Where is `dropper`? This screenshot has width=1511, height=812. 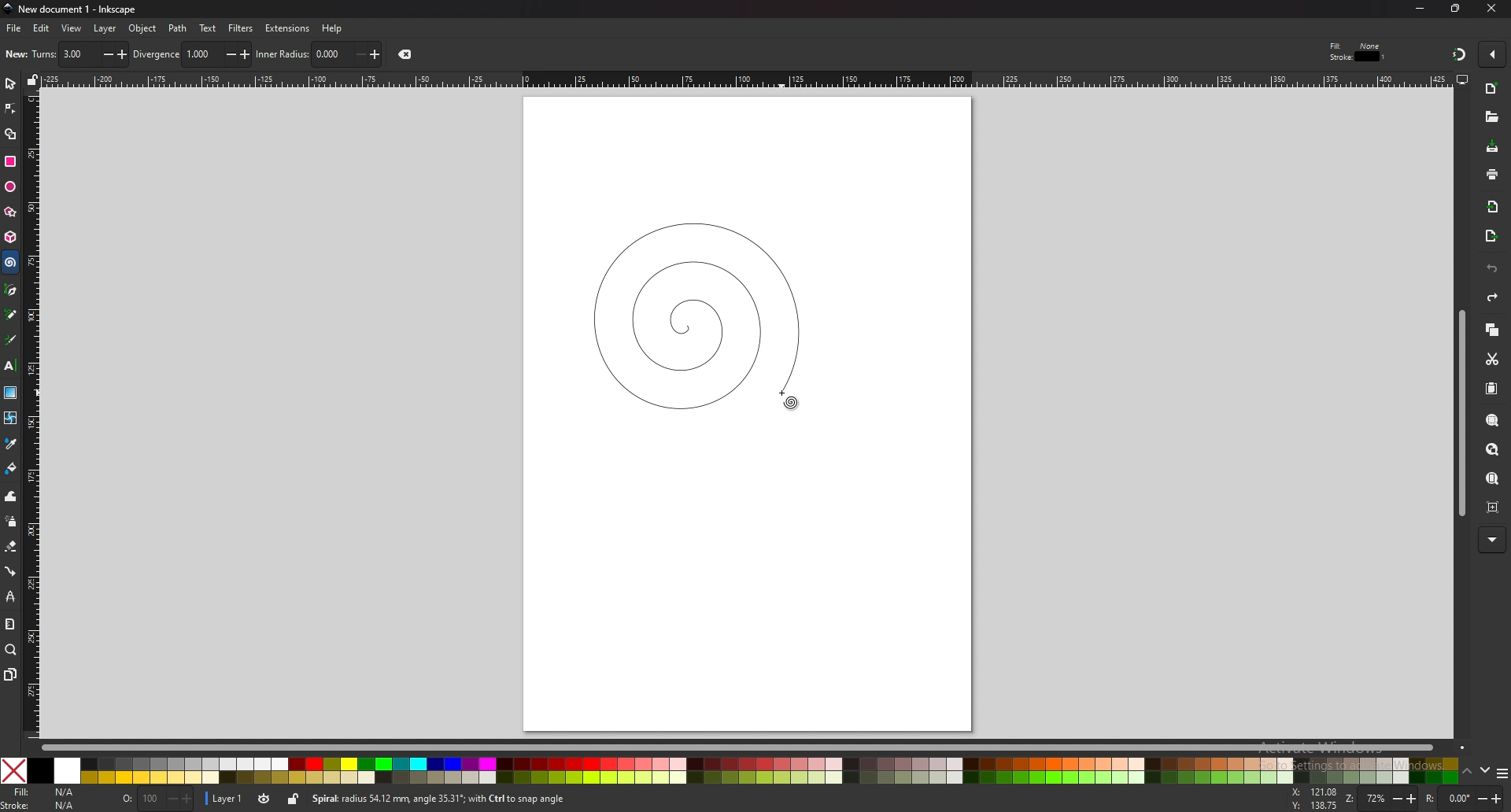 dropper is located at coordinates (12, 444).